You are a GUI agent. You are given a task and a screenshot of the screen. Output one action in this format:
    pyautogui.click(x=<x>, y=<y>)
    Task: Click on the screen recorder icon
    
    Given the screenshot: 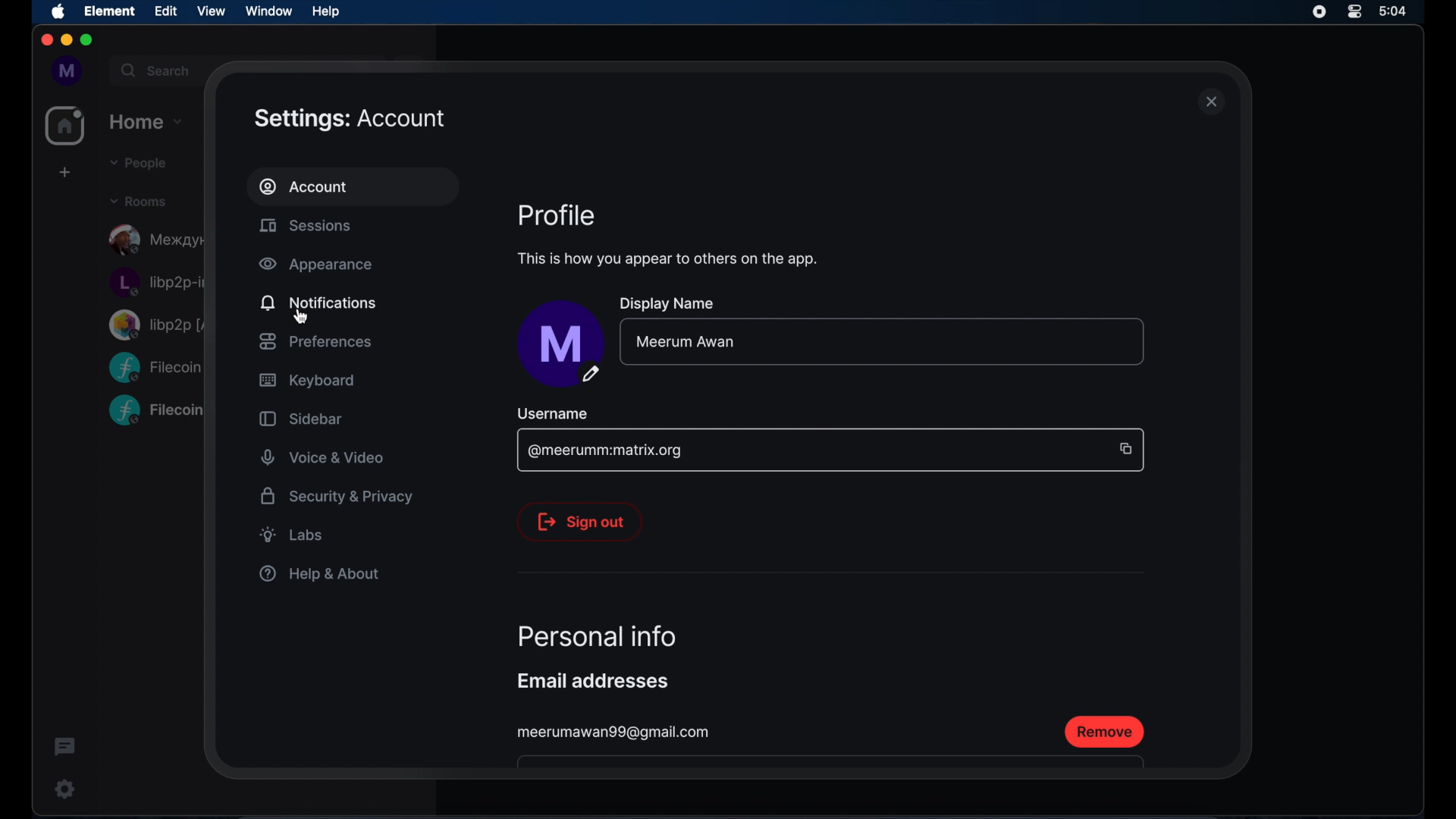 What is the action you would take?
    pyautogui.click(x=1319, y=12)
    